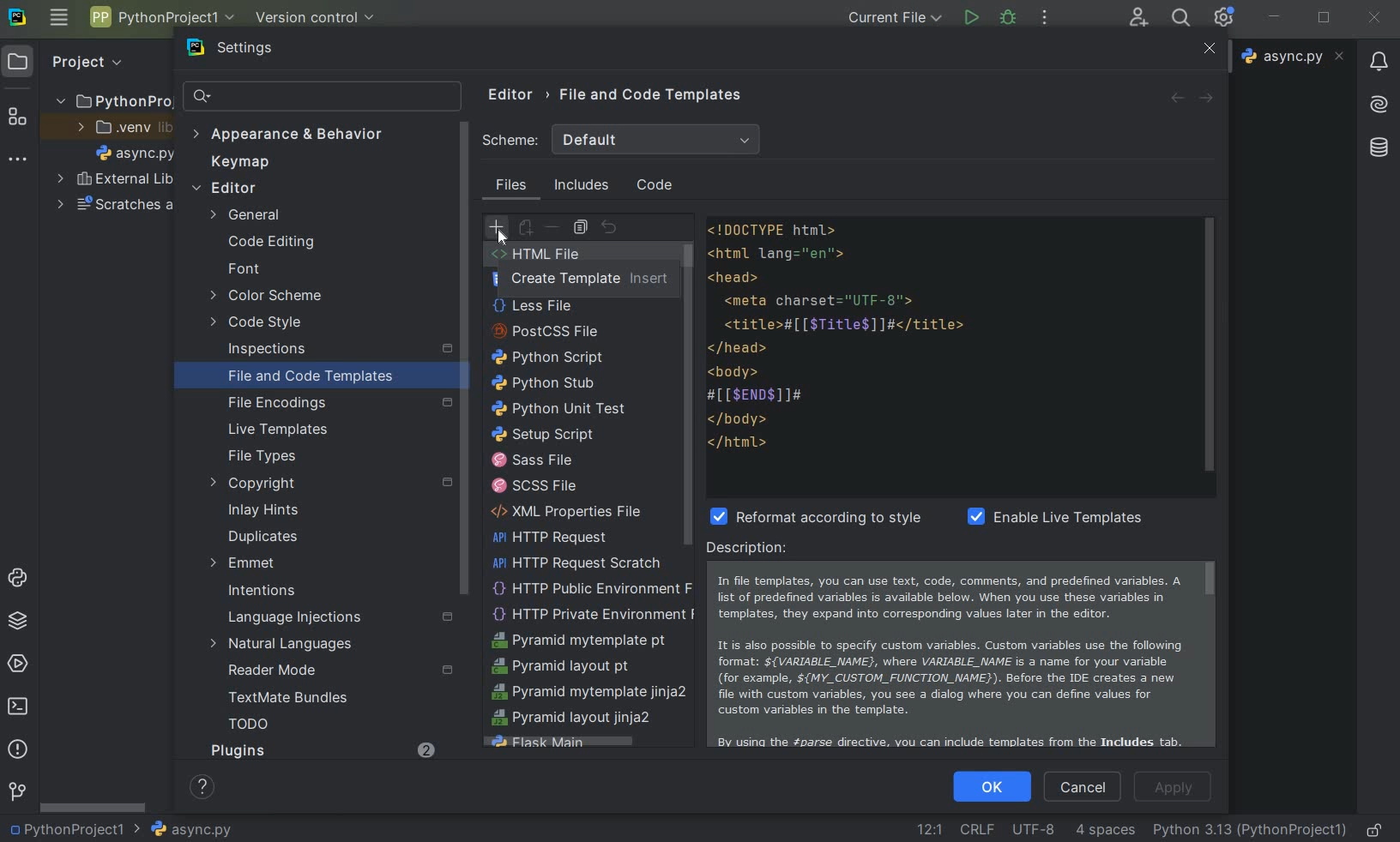 Image resolution: width=1400 pixels, height=842 pixels. Describe the element at coordinates (18, 575) in the screenshot. I see `python console` at that location.